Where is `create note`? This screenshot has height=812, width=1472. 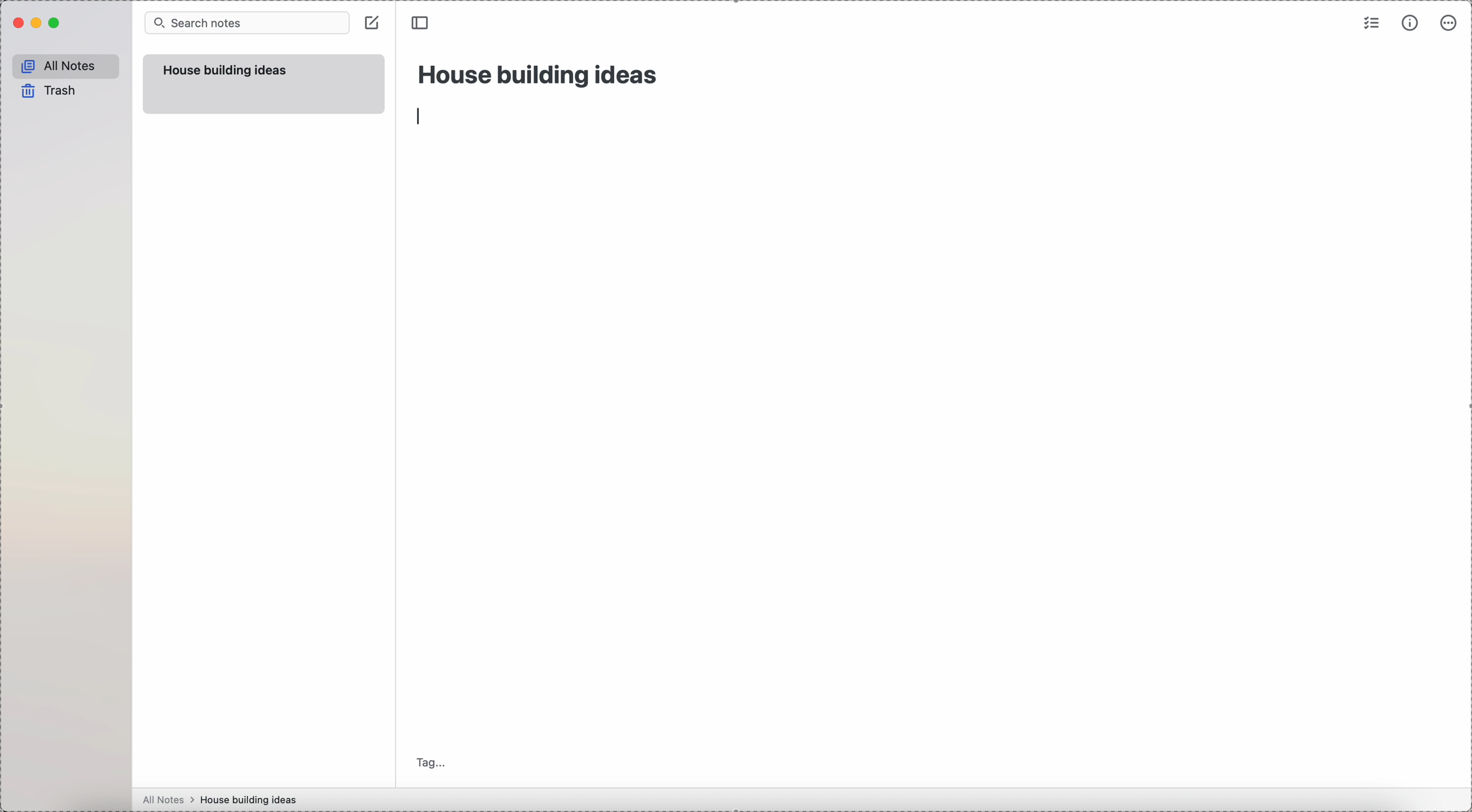 create note is located at coordinates (374, 26).